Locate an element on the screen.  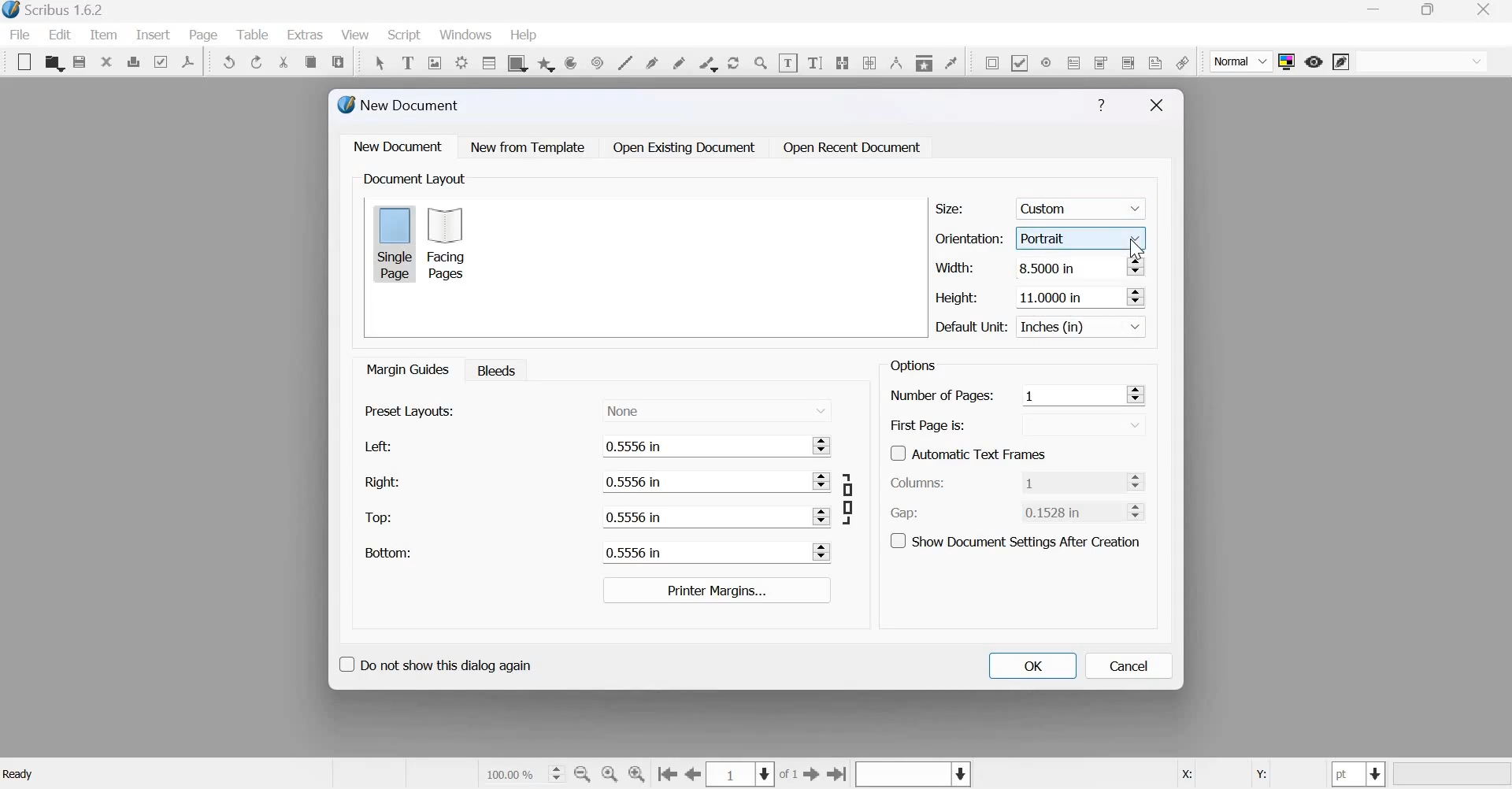
zoom in by the stepping value in Tools preferences is located at coordinates (638, 774).